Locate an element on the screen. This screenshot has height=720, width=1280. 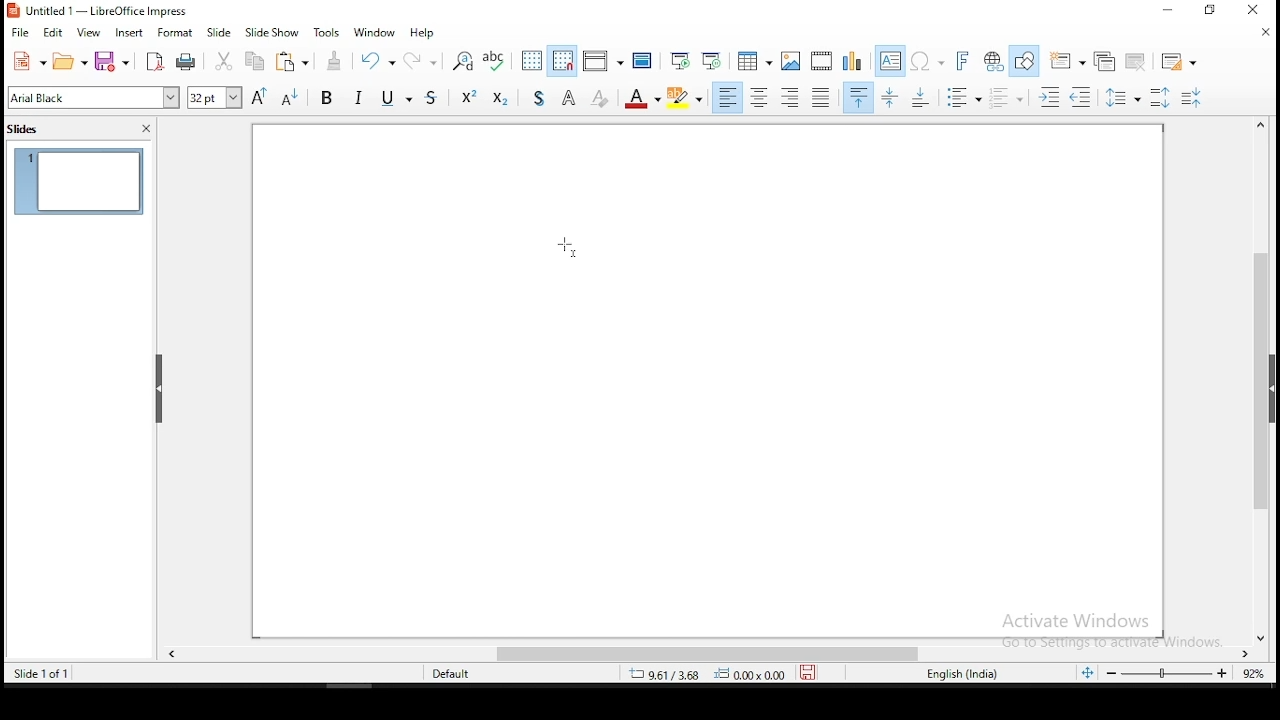
Bold is located at coordinates (327, 96).